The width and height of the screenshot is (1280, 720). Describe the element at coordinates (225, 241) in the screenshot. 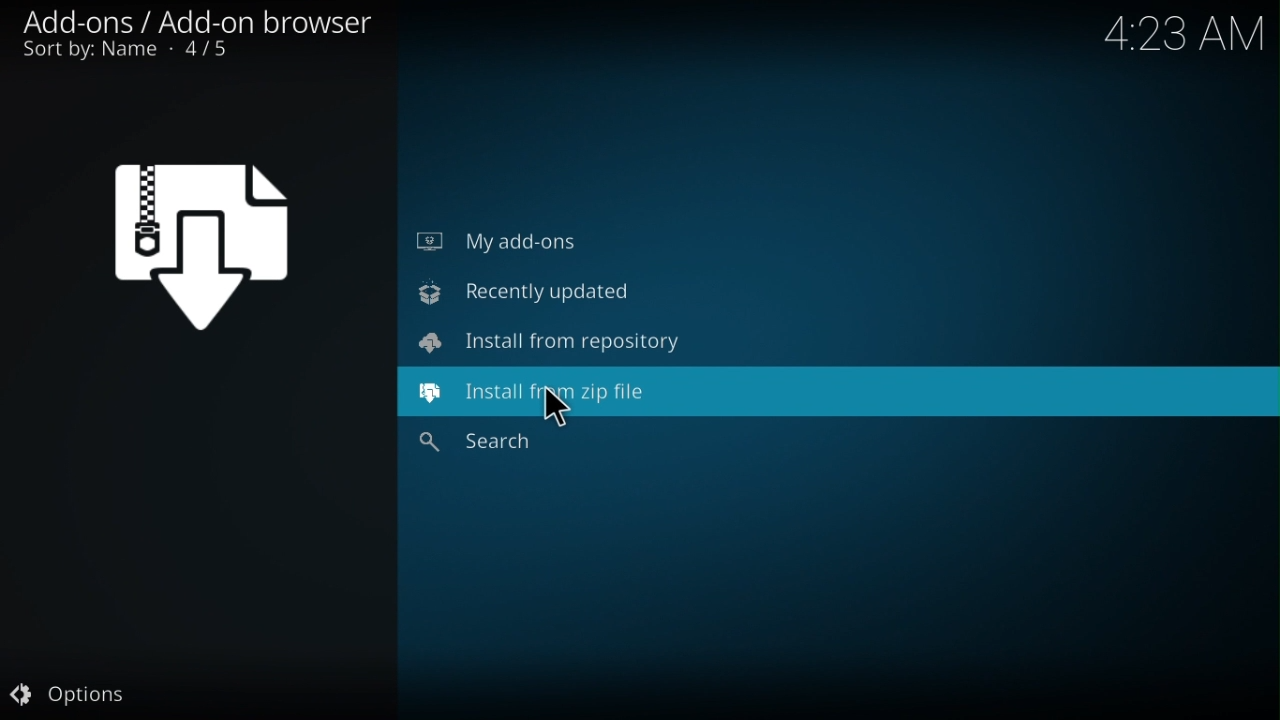

I see `Image` at that location.